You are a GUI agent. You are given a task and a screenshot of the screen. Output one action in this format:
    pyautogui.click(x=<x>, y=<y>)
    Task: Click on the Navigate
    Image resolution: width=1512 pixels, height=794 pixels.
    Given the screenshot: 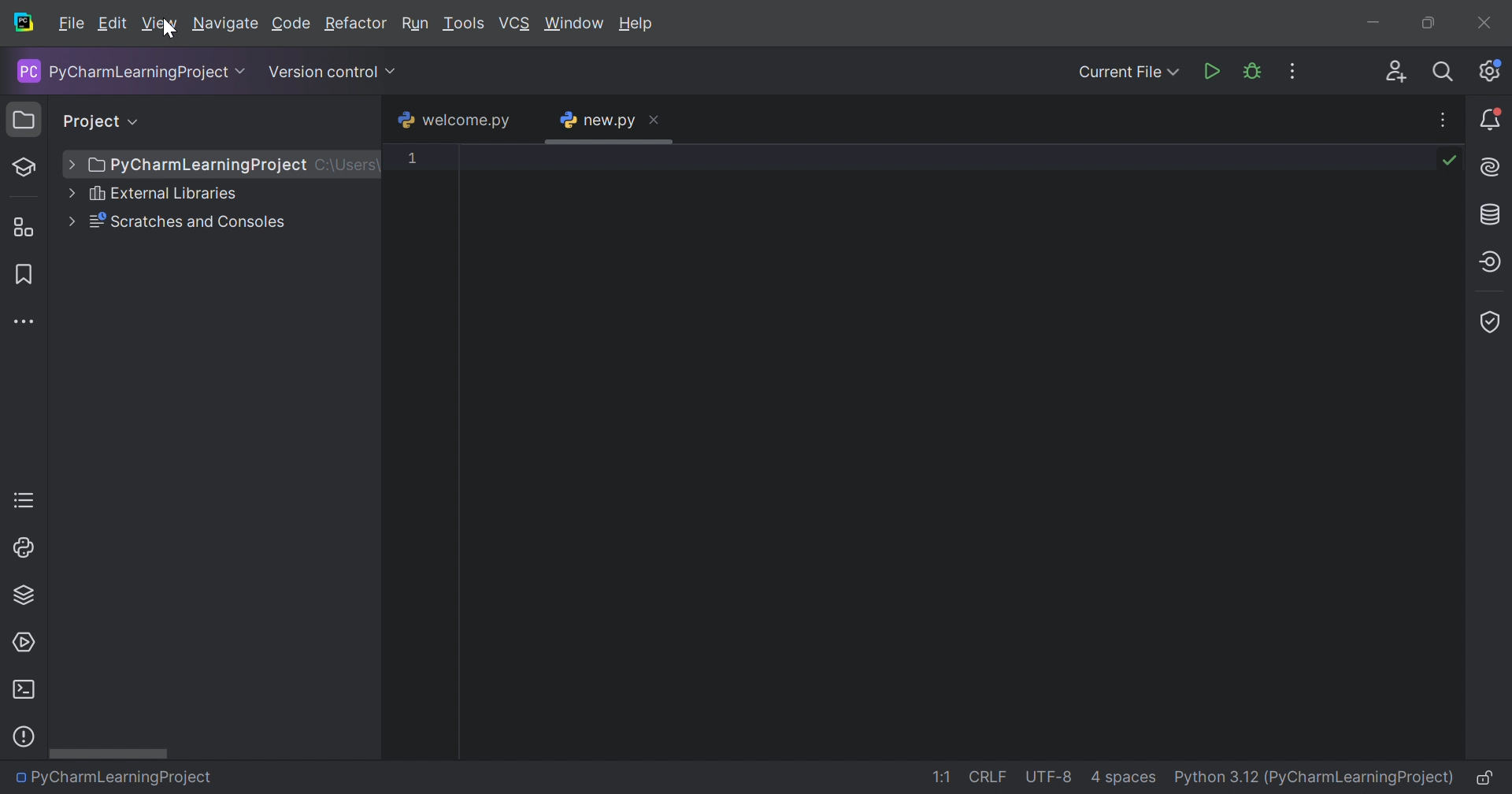 What is the action you would take?
    pyautogui.click(x=226, y=24)
    